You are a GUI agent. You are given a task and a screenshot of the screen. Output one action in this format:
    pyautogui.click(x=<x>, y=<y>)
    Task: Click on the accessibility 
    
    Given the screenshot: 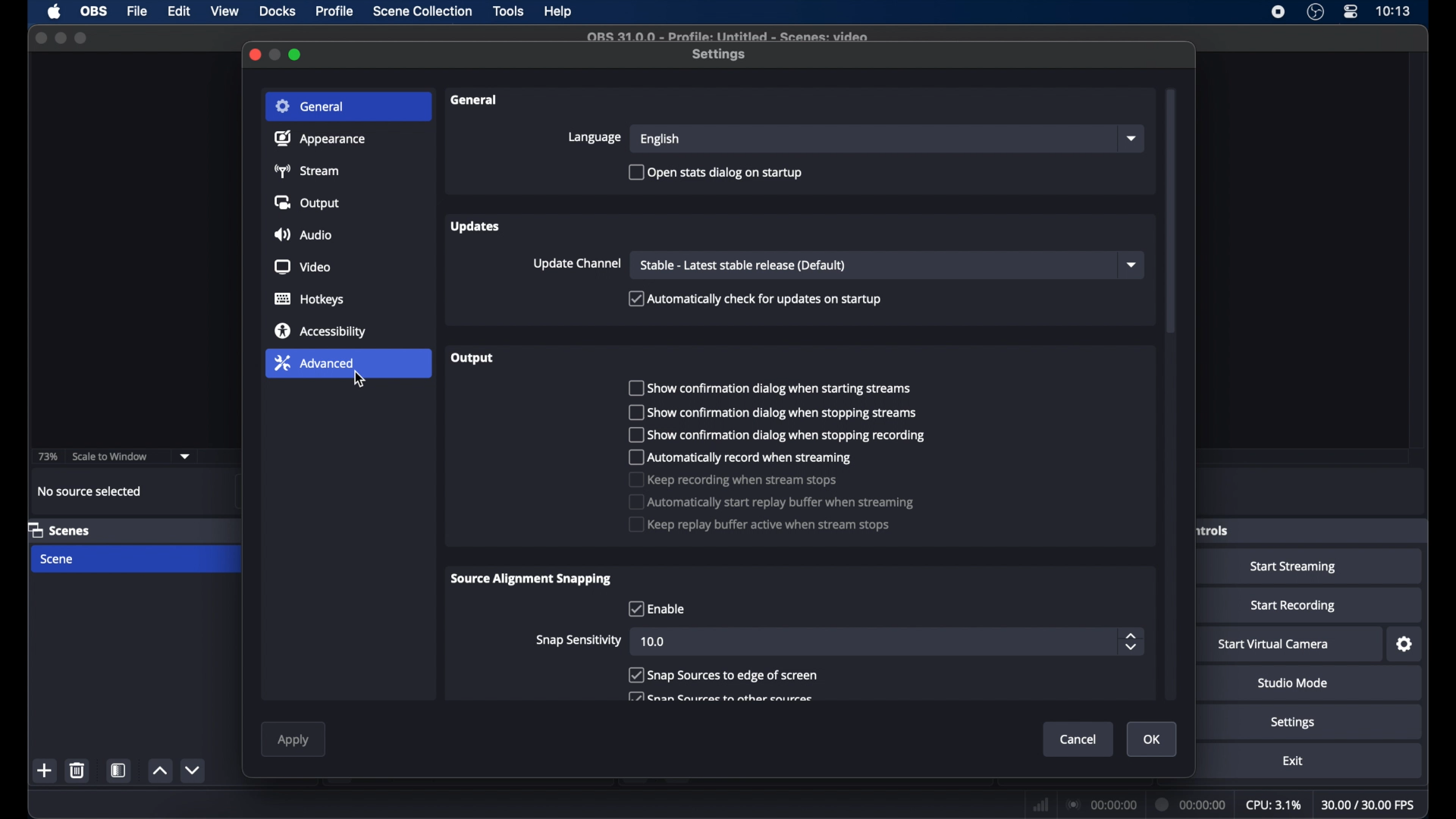 What is the action you would take?
    pyautogui.click(x=322, y=330)
    